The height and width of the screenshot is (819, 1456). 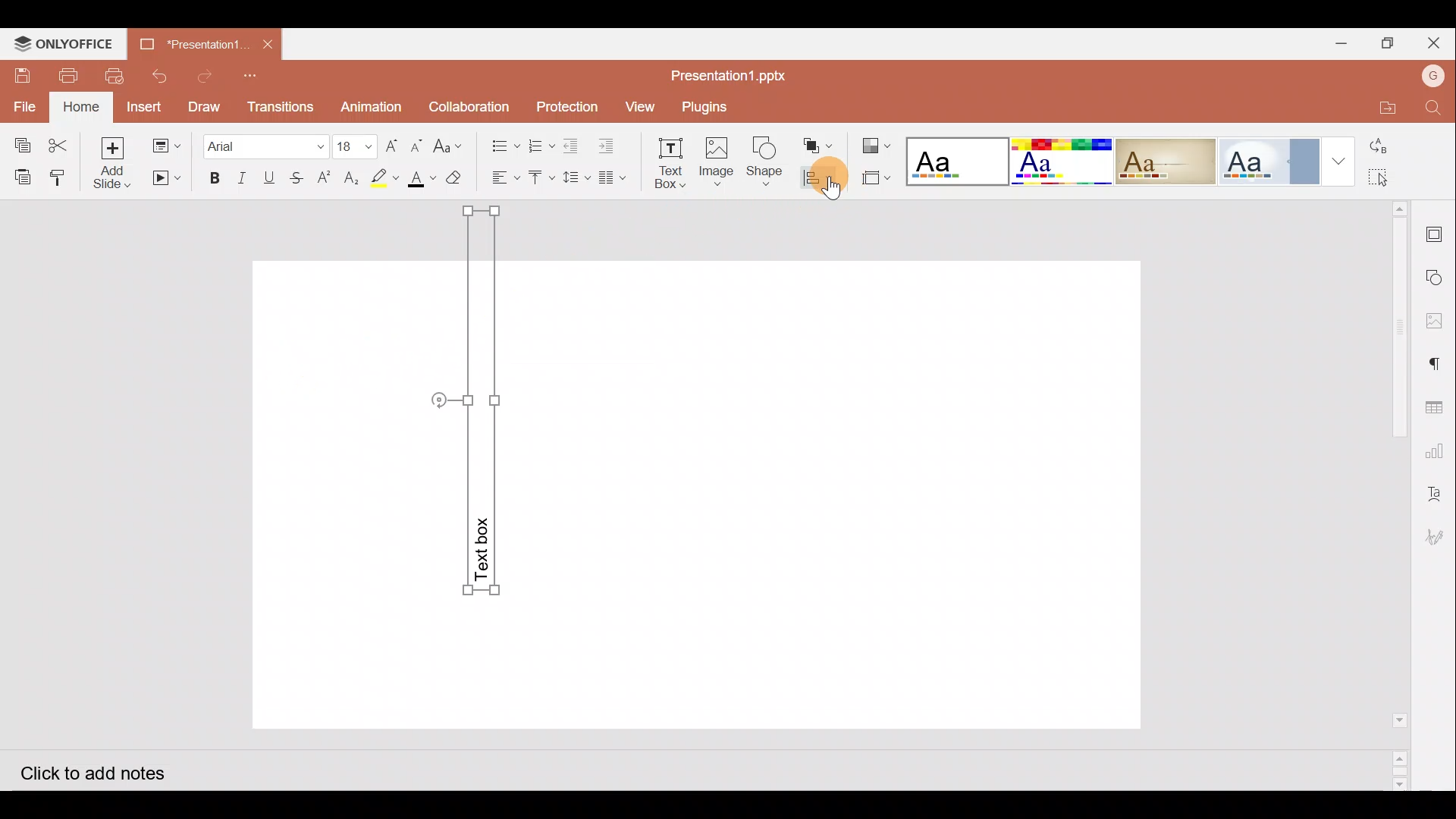 I want to click on Clear style, so click(x=456, y=181).